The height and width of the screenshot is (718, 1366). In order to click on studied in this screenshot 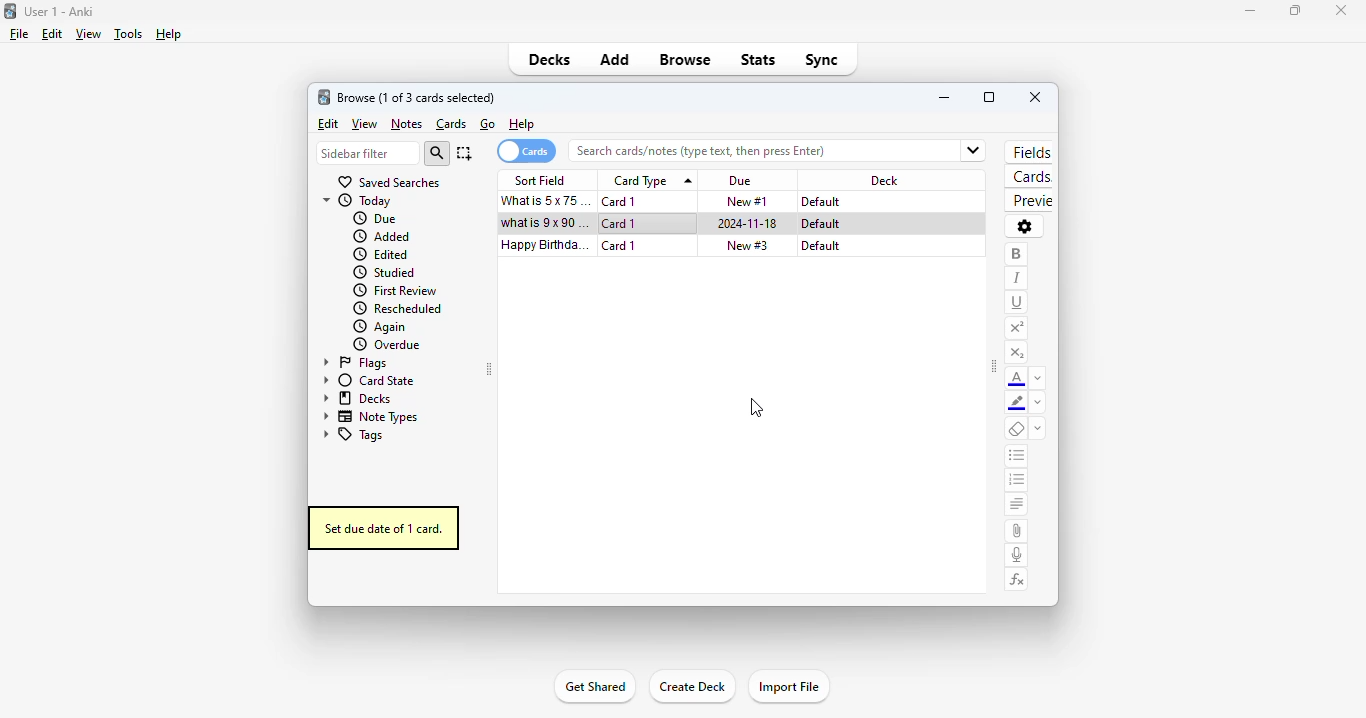, I will do `click(382, 272)`.